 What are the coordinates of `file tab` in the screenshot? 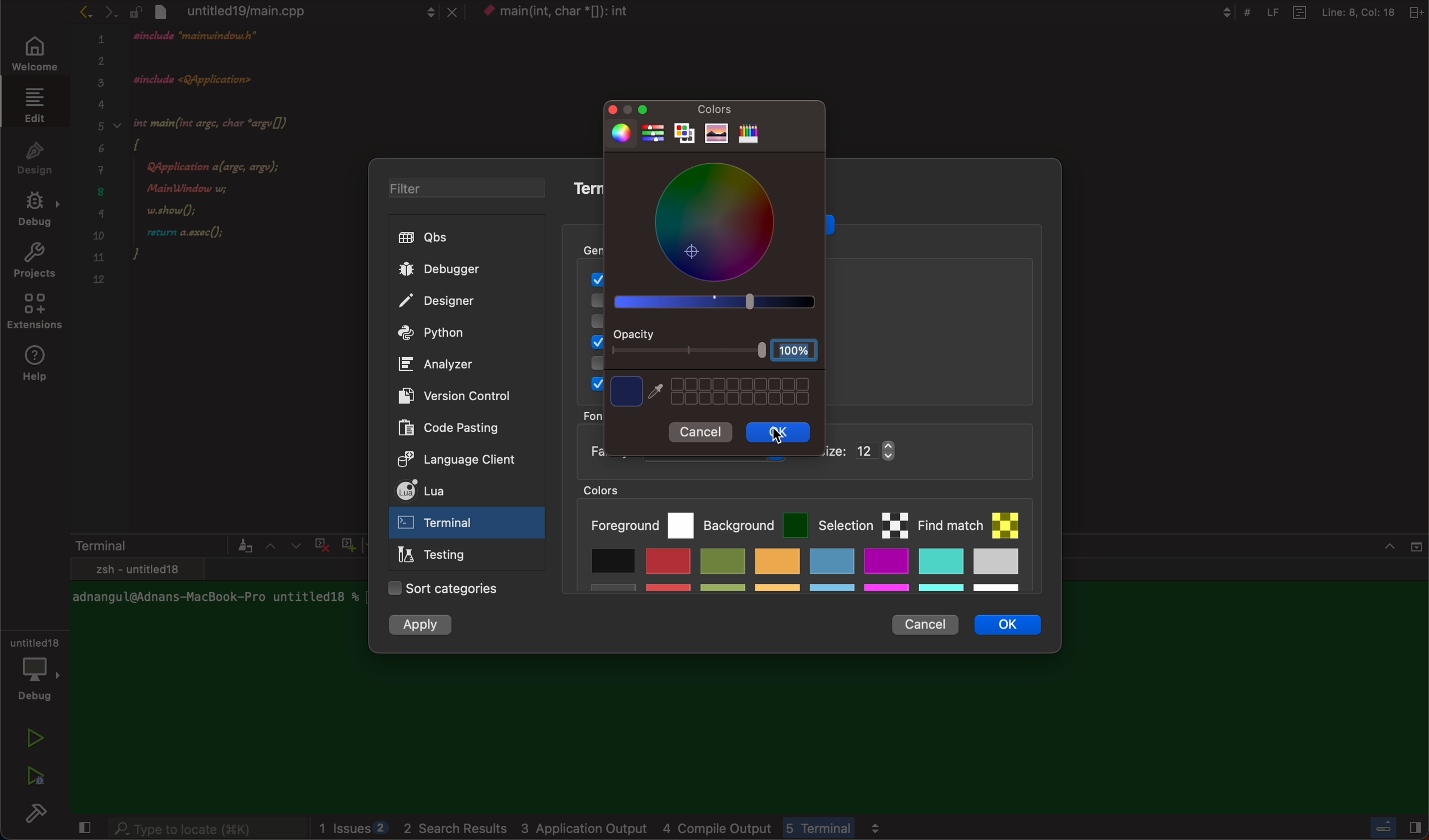 It's located at (294, 11).